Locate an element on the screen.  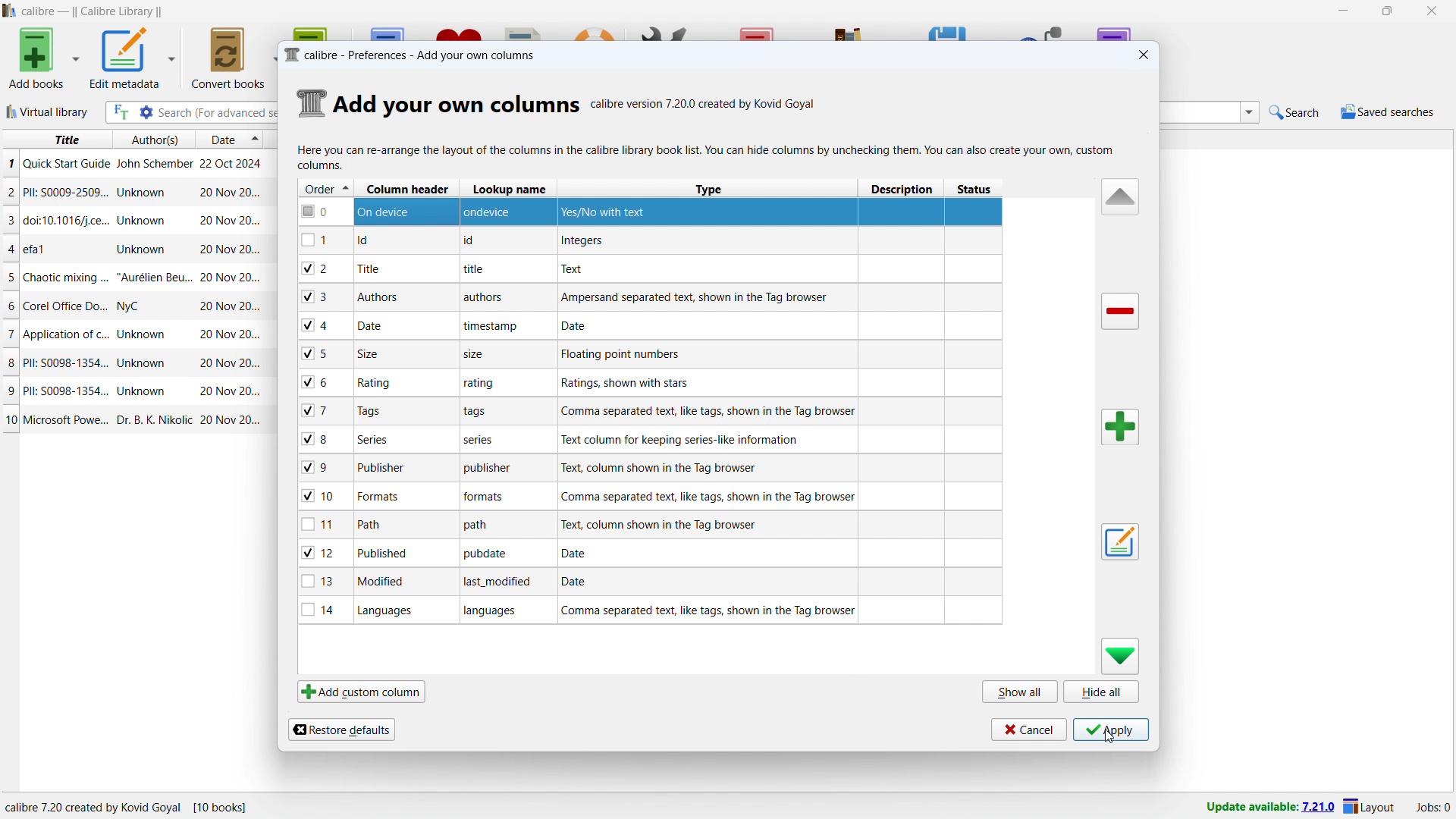
convert books is located at coordinates (227, 58).